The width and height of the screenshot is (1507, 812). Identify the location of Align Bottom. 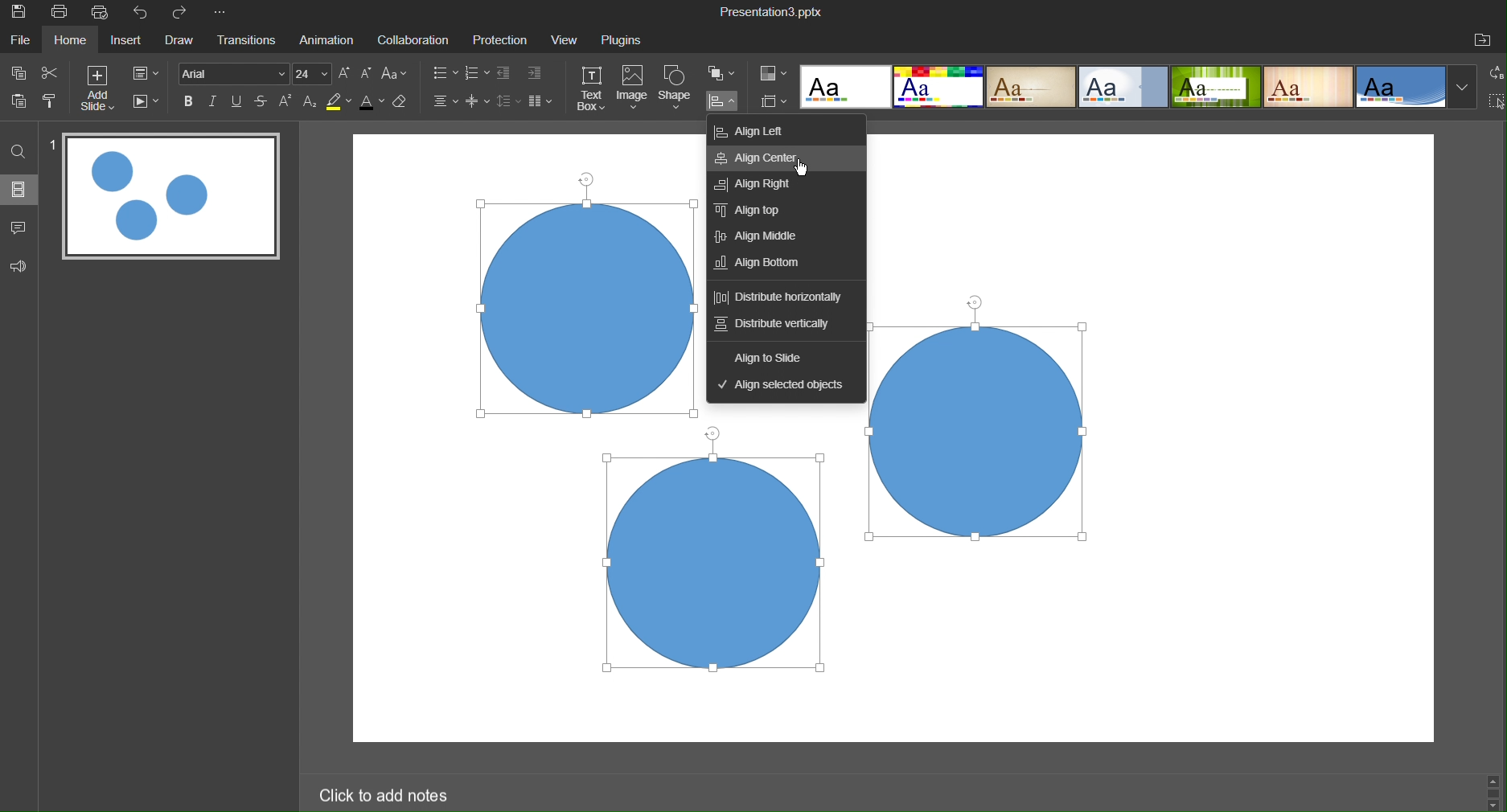
(758, 263).